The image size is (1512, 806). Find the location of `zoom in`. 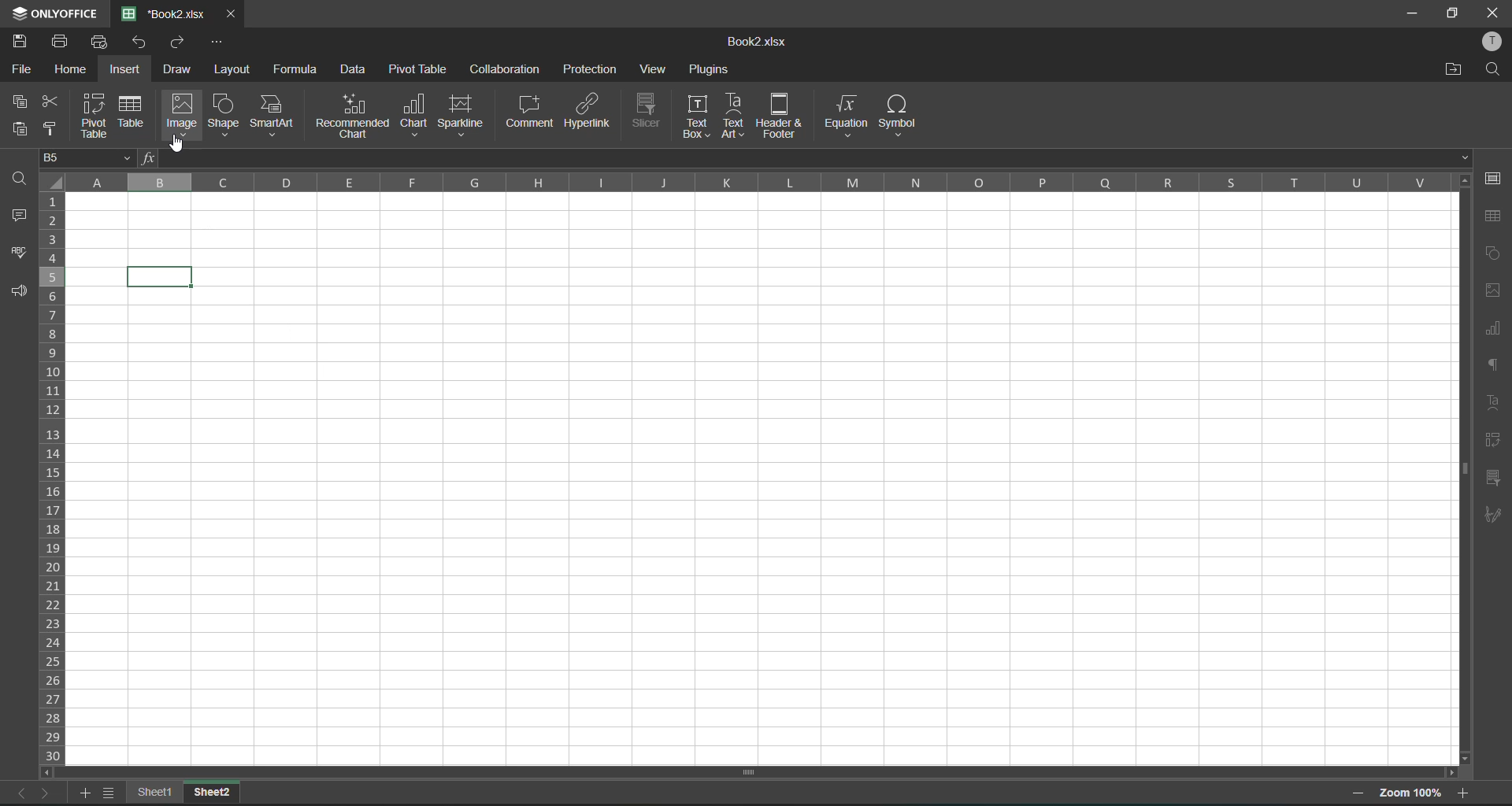

zoom in is located at coordinates (1464, 790).